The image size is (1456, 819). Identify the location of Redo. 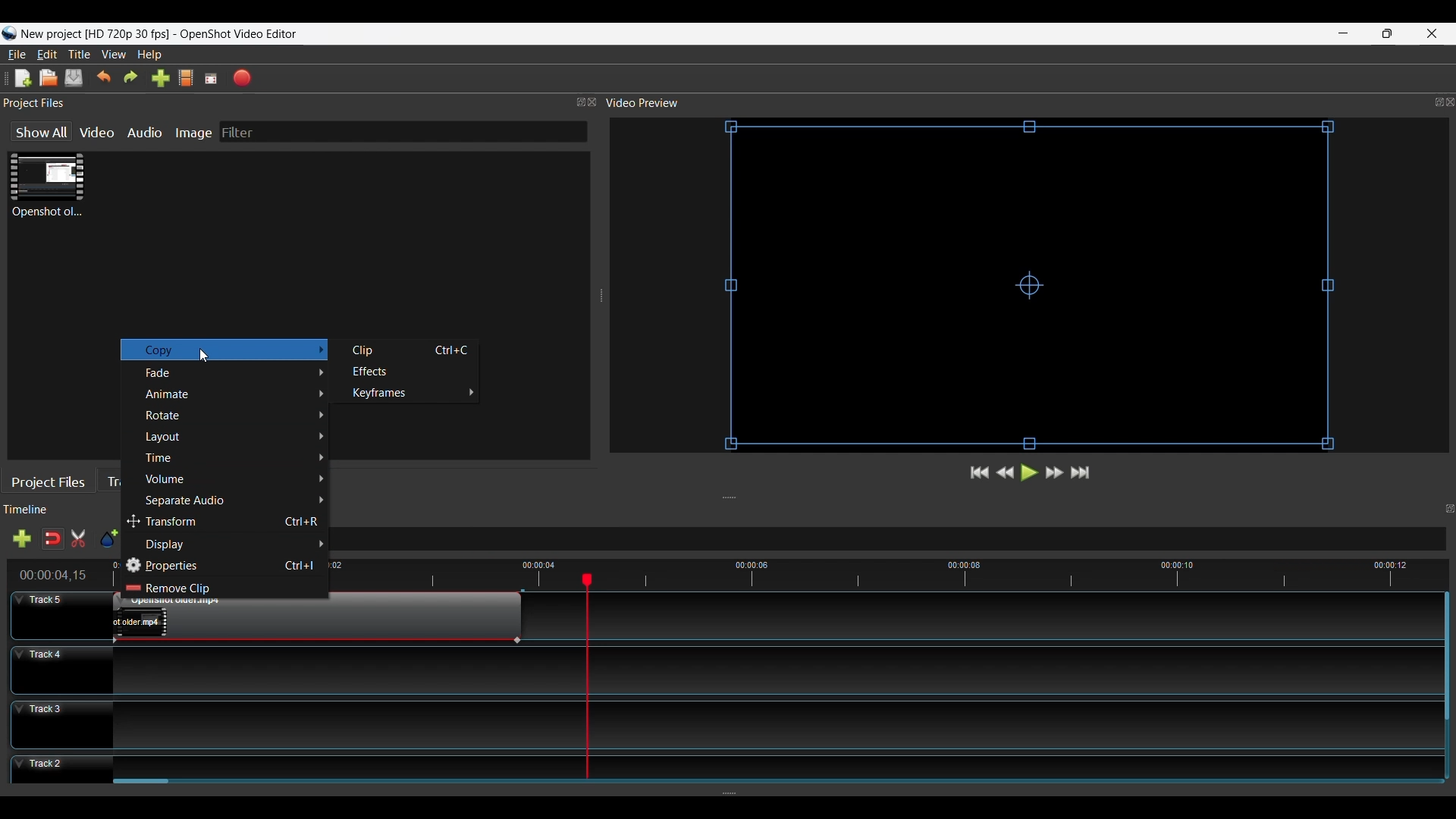
(131, 78).